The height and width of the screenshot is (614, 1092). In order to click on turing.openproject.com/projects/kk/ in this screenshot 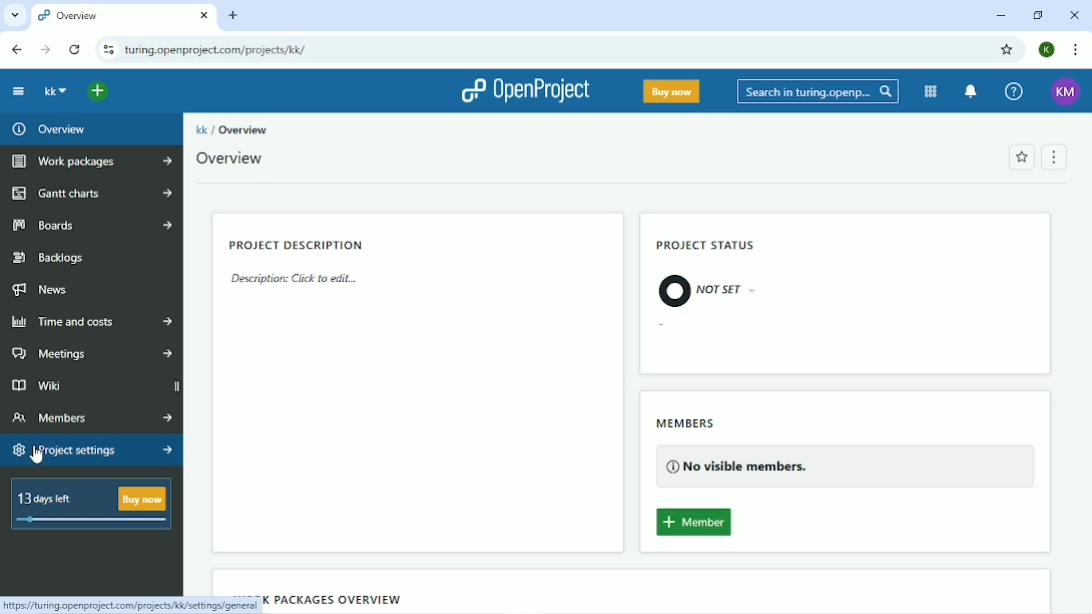, I will do `click(248, 49)`.